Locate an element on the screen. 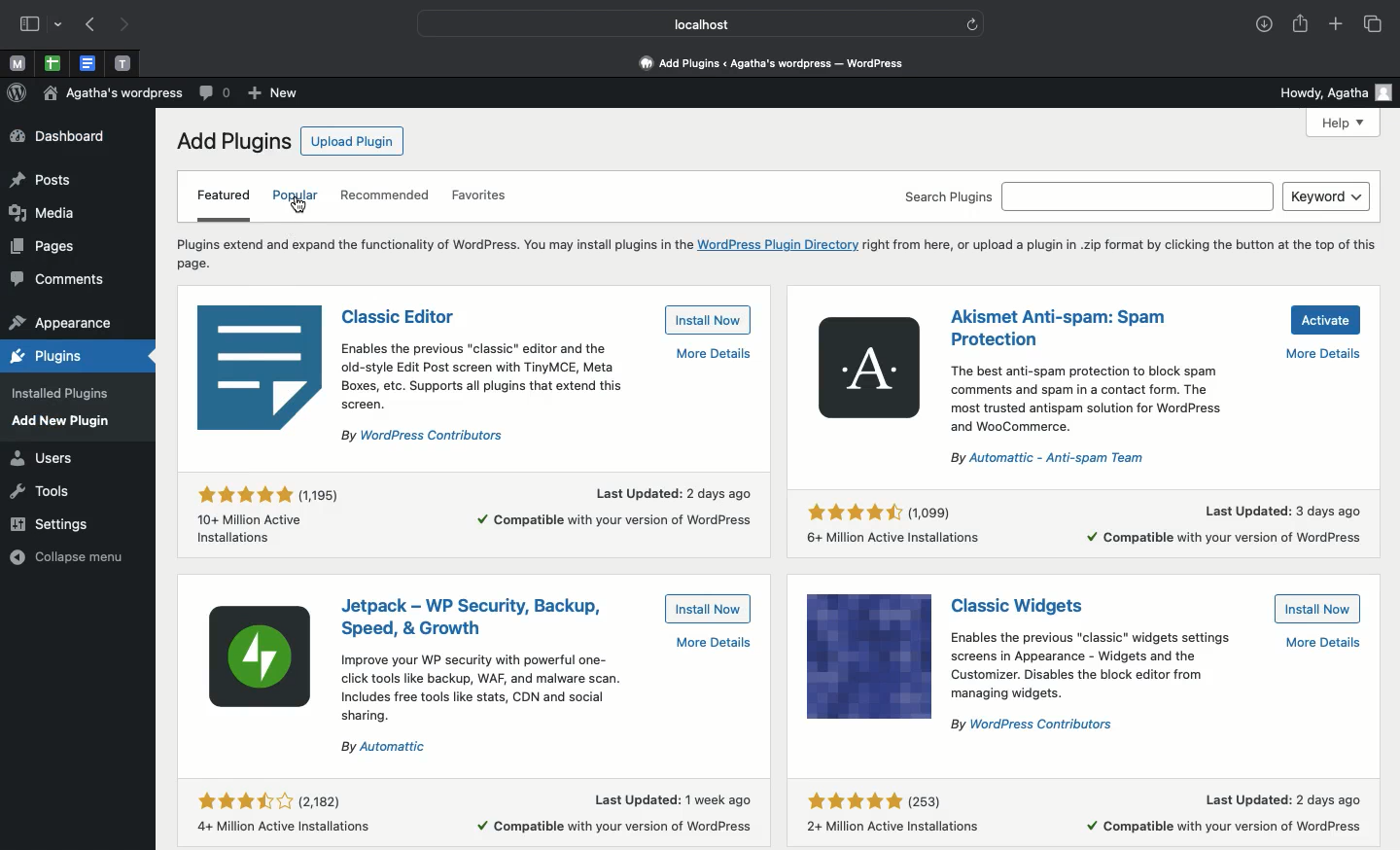 The width and height of the screenshot is (1400, 850). Keyword is located at coordinates (1327, 196).